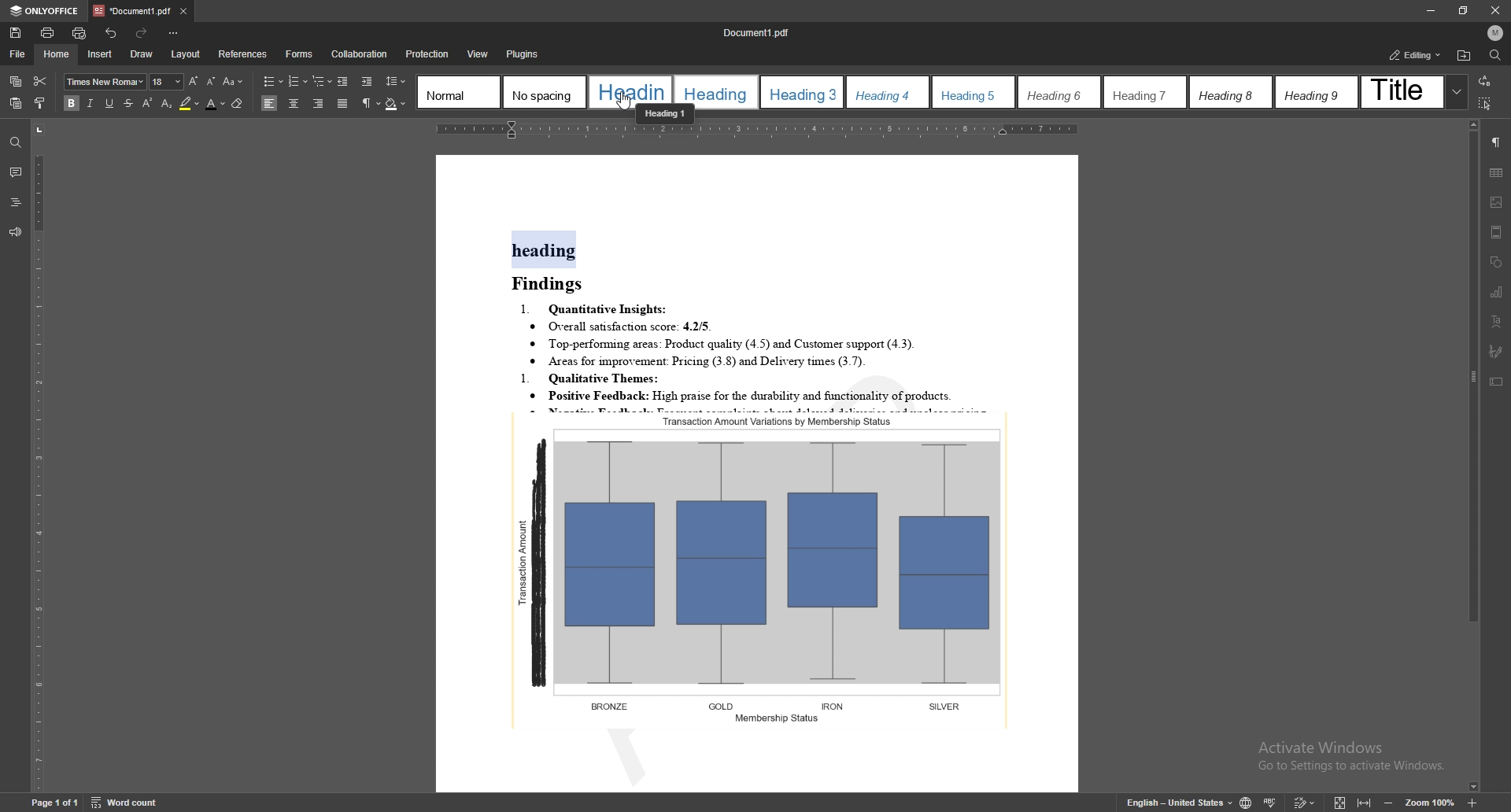 Image resolution: width=1511 pixels, height=812 pixels. What do you see at coordinates (14, 143) in the screenshot?
I see `find` at bounding box center [14, 143].